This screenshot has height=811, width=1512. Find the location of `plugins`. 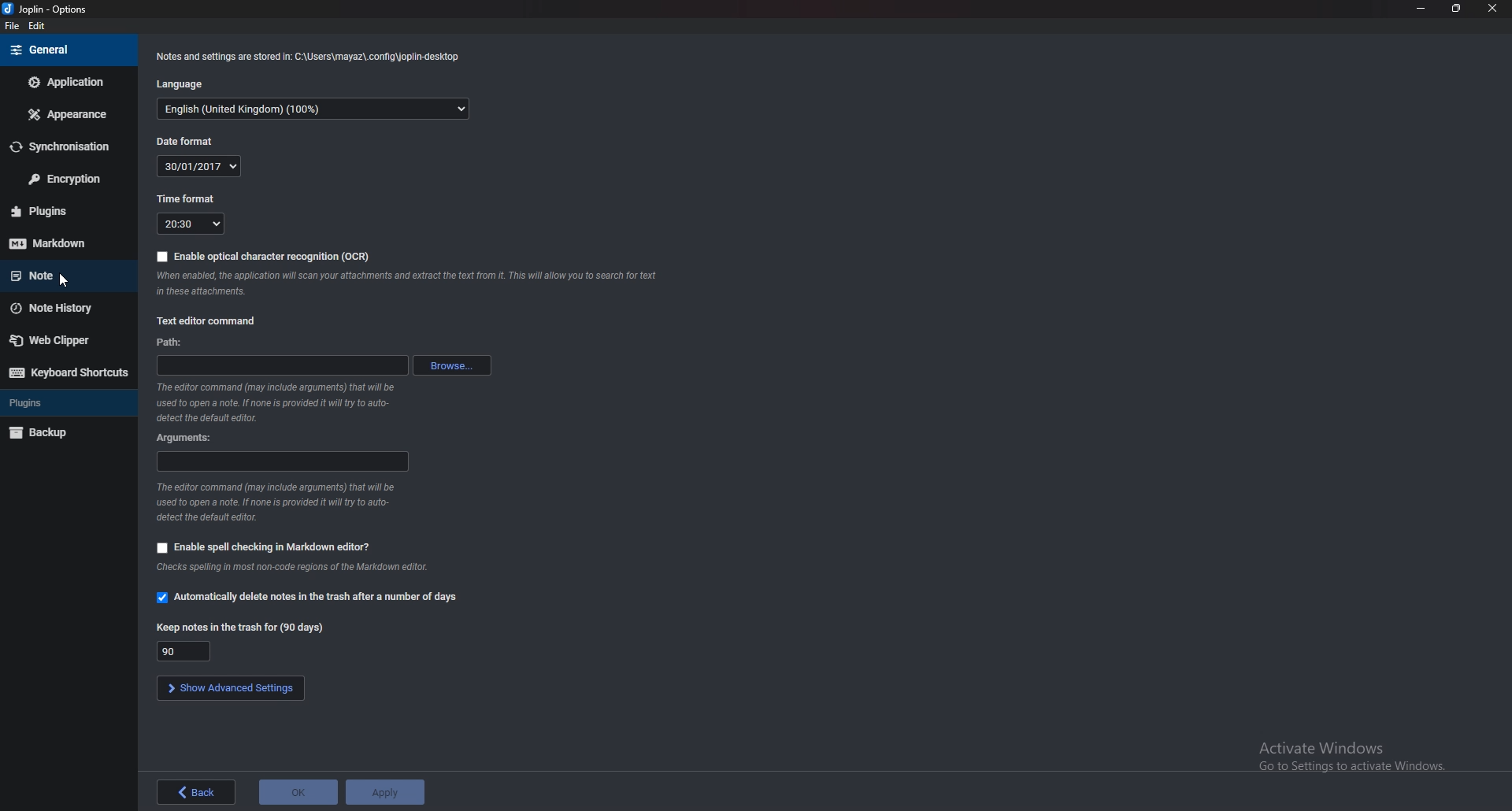

plugins is located at coordinates (65, 401).